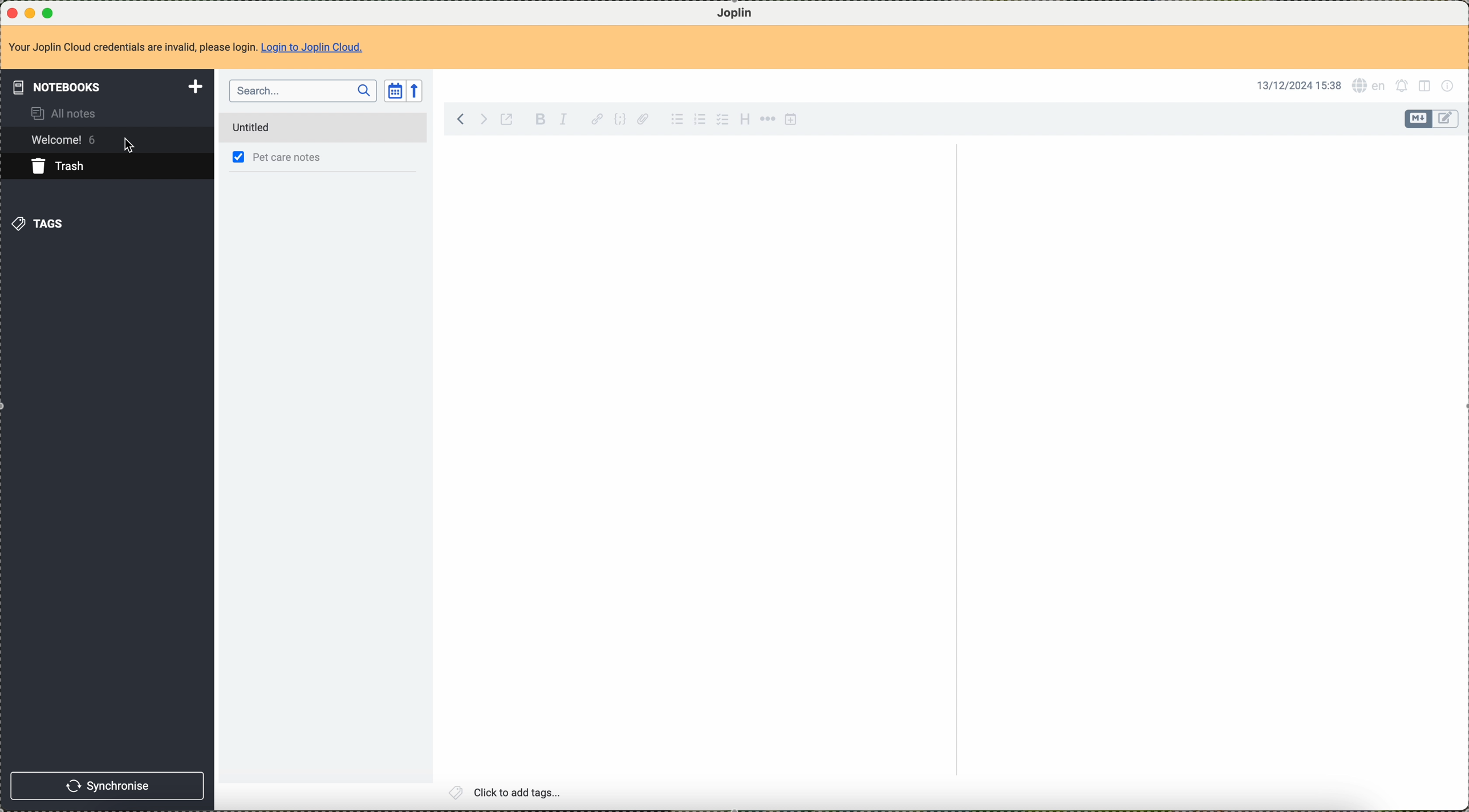 The image size is (1469, 812). I want to click on close program, so click(11, 11).